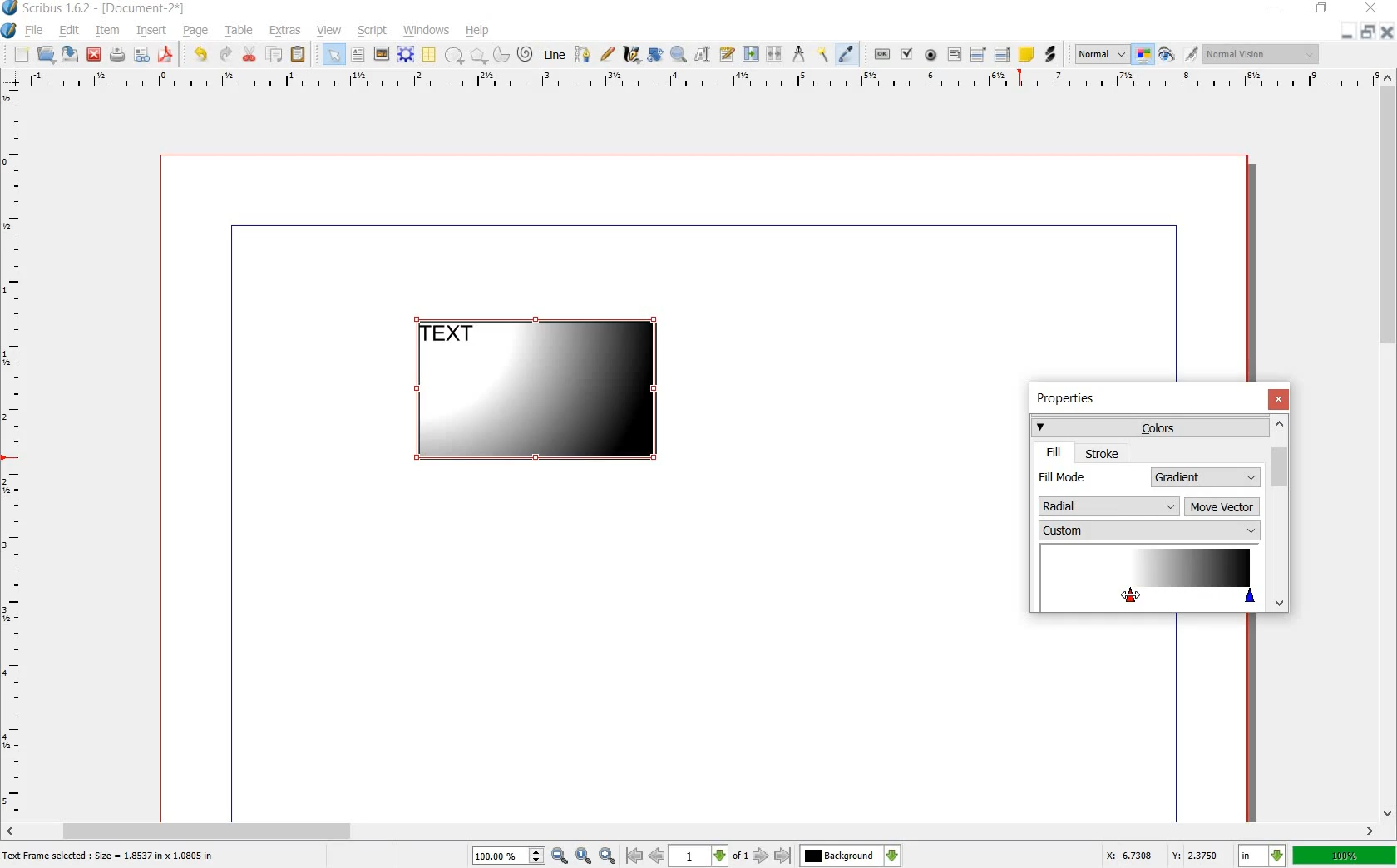 Image resolution: width=1397 pixels, height=868 pixels. What do you see at coordinates (800, 53) in the screenshot?
I see `measurement` at bounding box center [800, 53].